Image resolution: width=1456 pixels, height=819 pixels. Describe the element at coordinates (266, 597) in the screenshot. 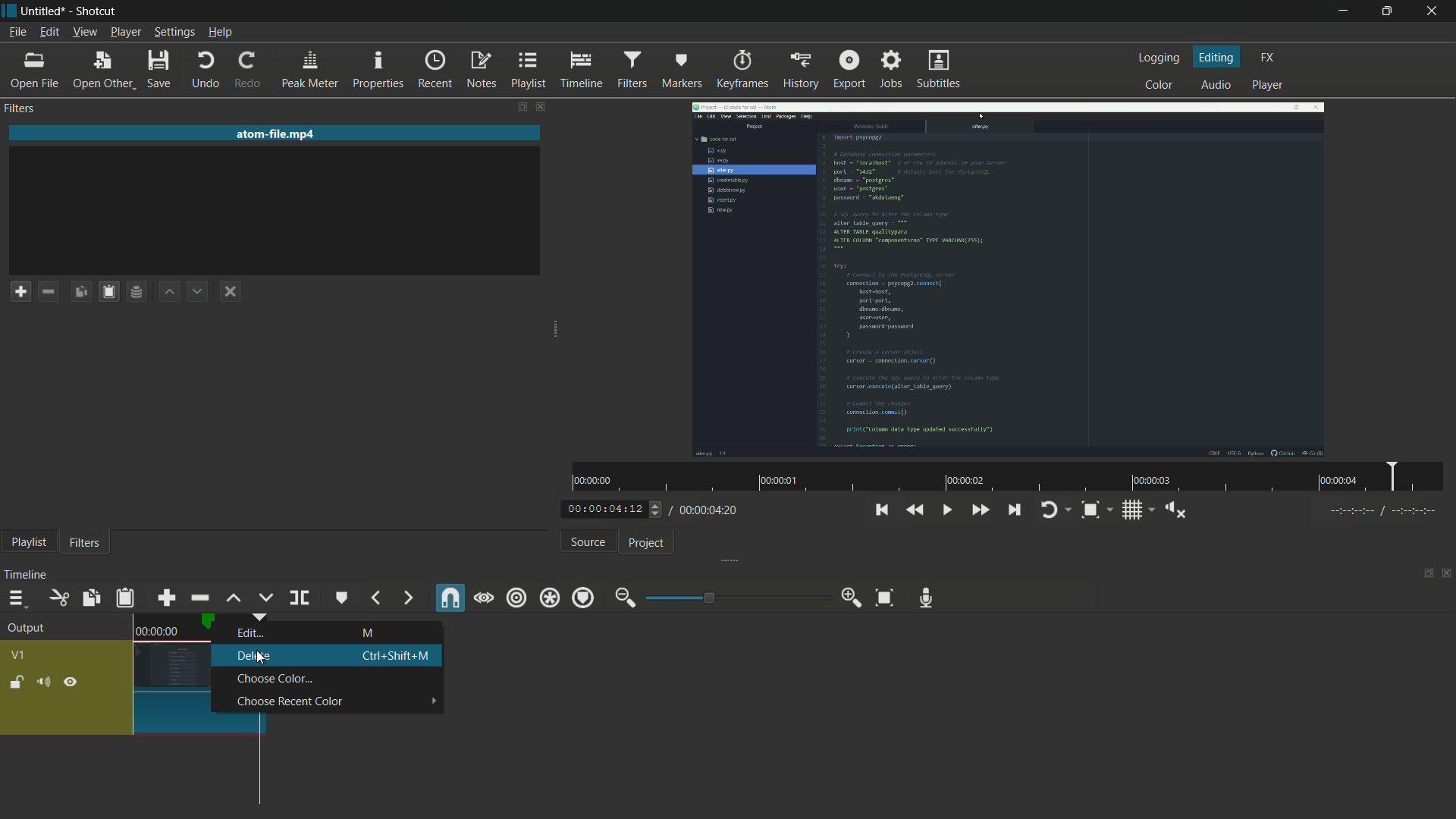

I see `overwrite` at that location.